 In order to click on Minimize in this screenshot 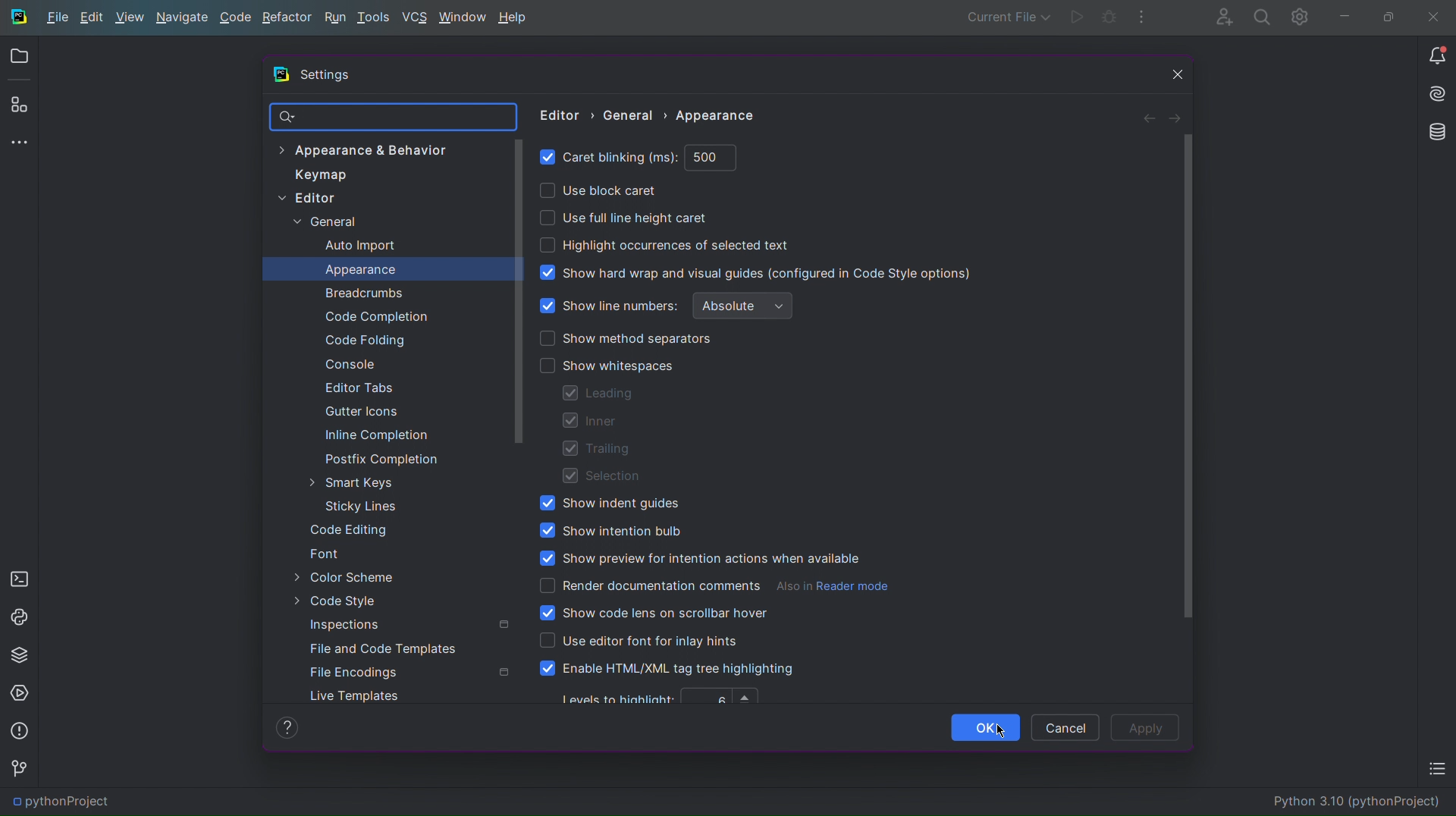, I will do `click(1343, 16)`.